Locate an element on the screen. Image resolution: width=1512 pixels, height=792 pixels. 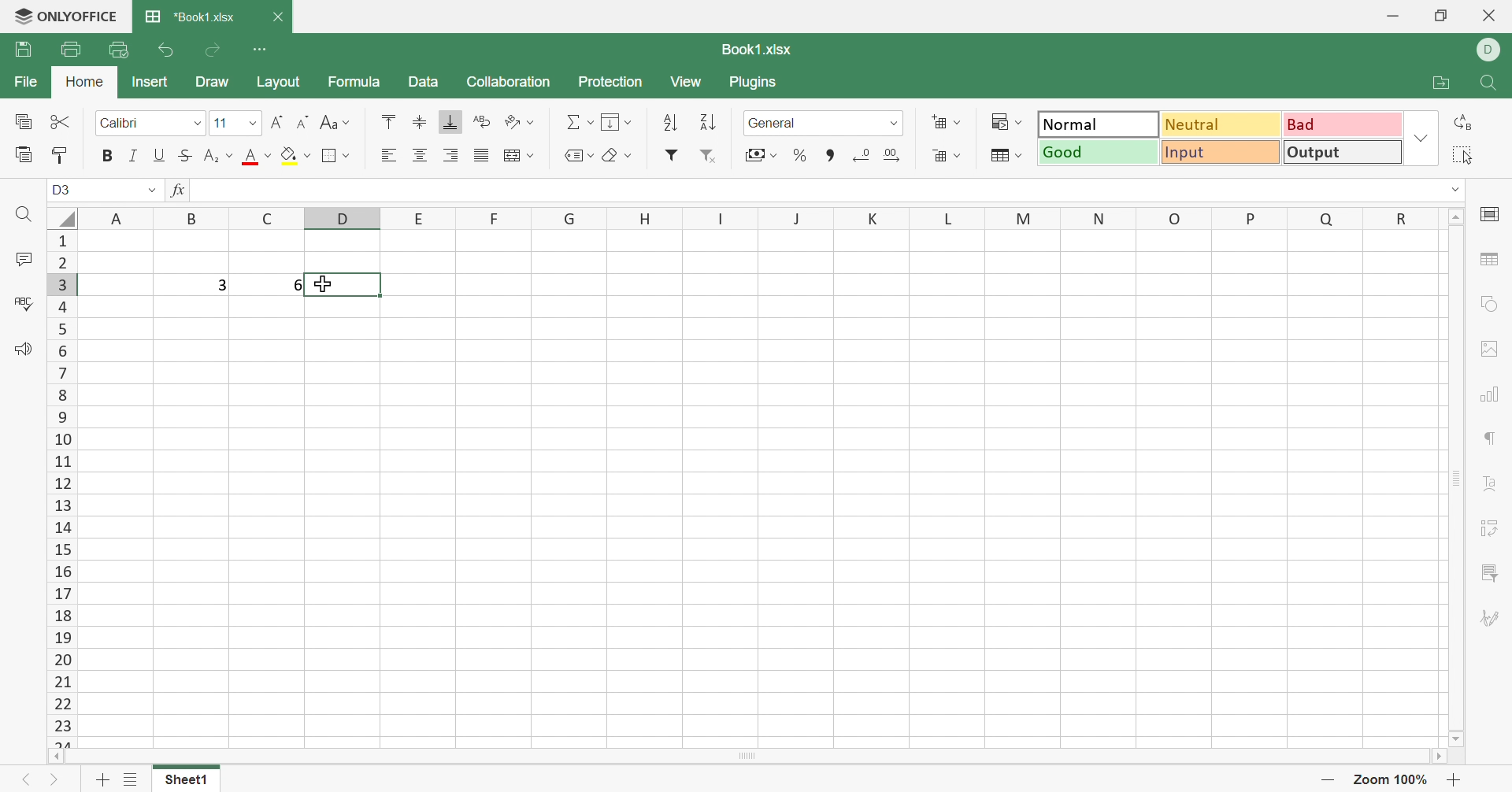
Cursor is located at coordinates (322, 282).